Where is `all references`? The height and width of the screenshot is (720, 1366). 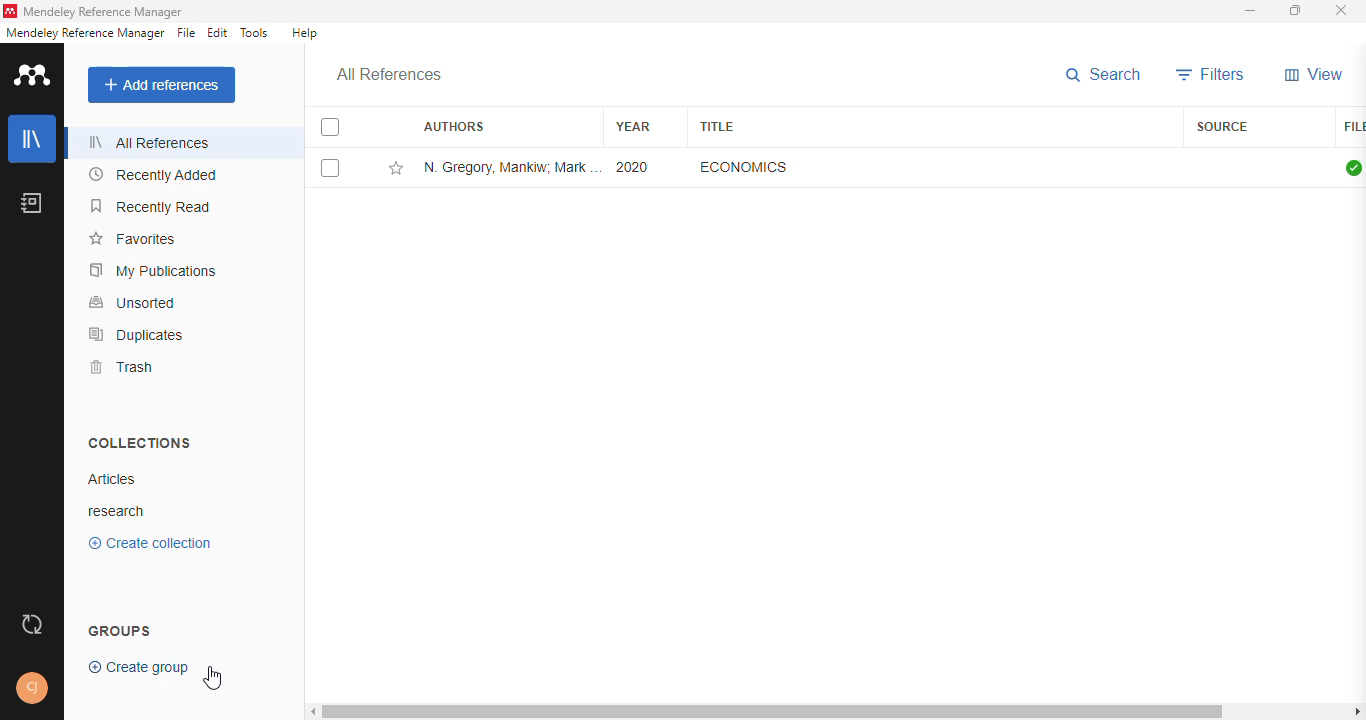 all references is located at coordinates (390, 73).